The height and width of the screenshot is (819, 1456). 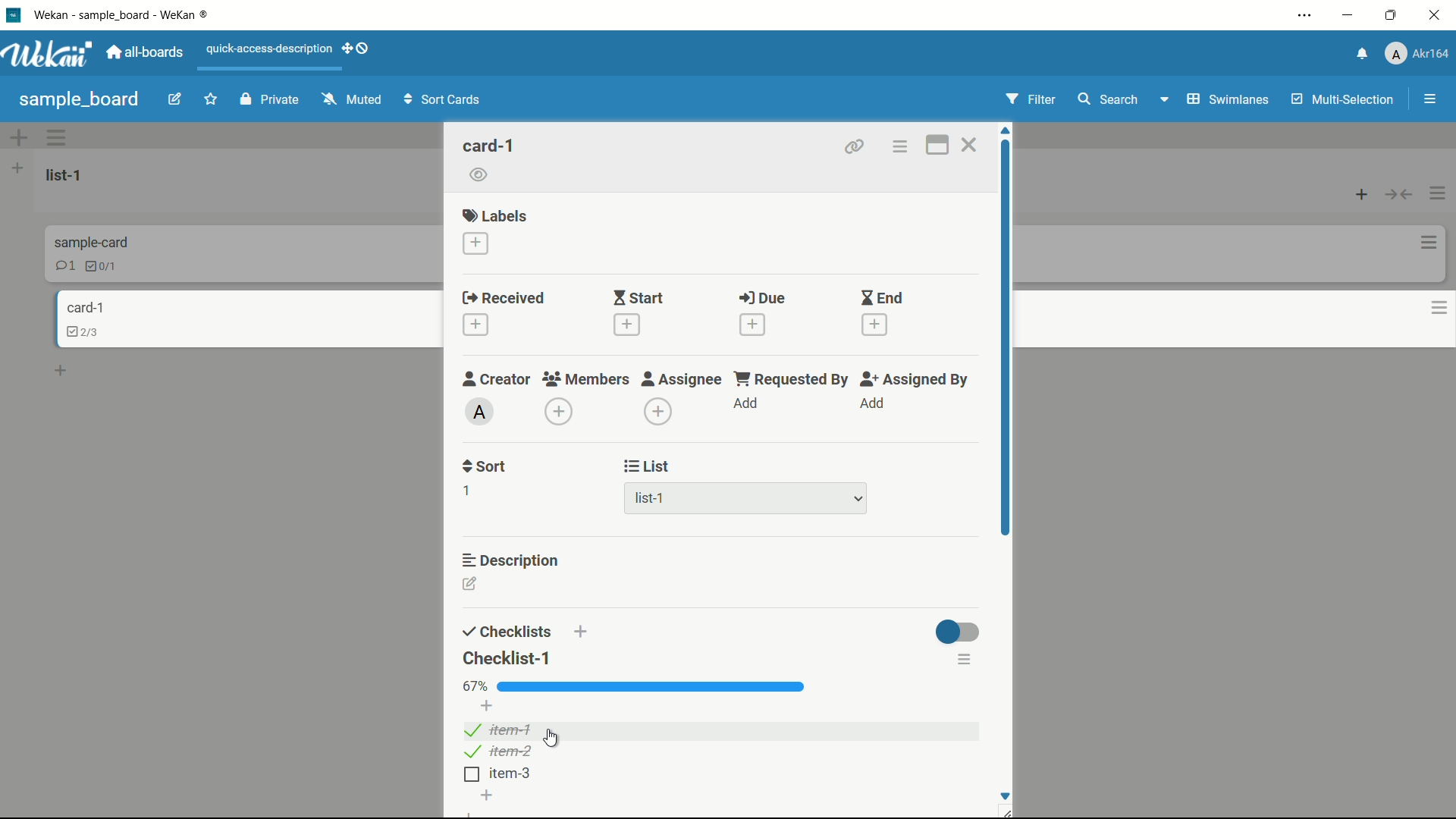 What do you see at coordinates (856, 147) in the screenshot?
I see `copy card link to clipboard` at bounding box center [856, 147].